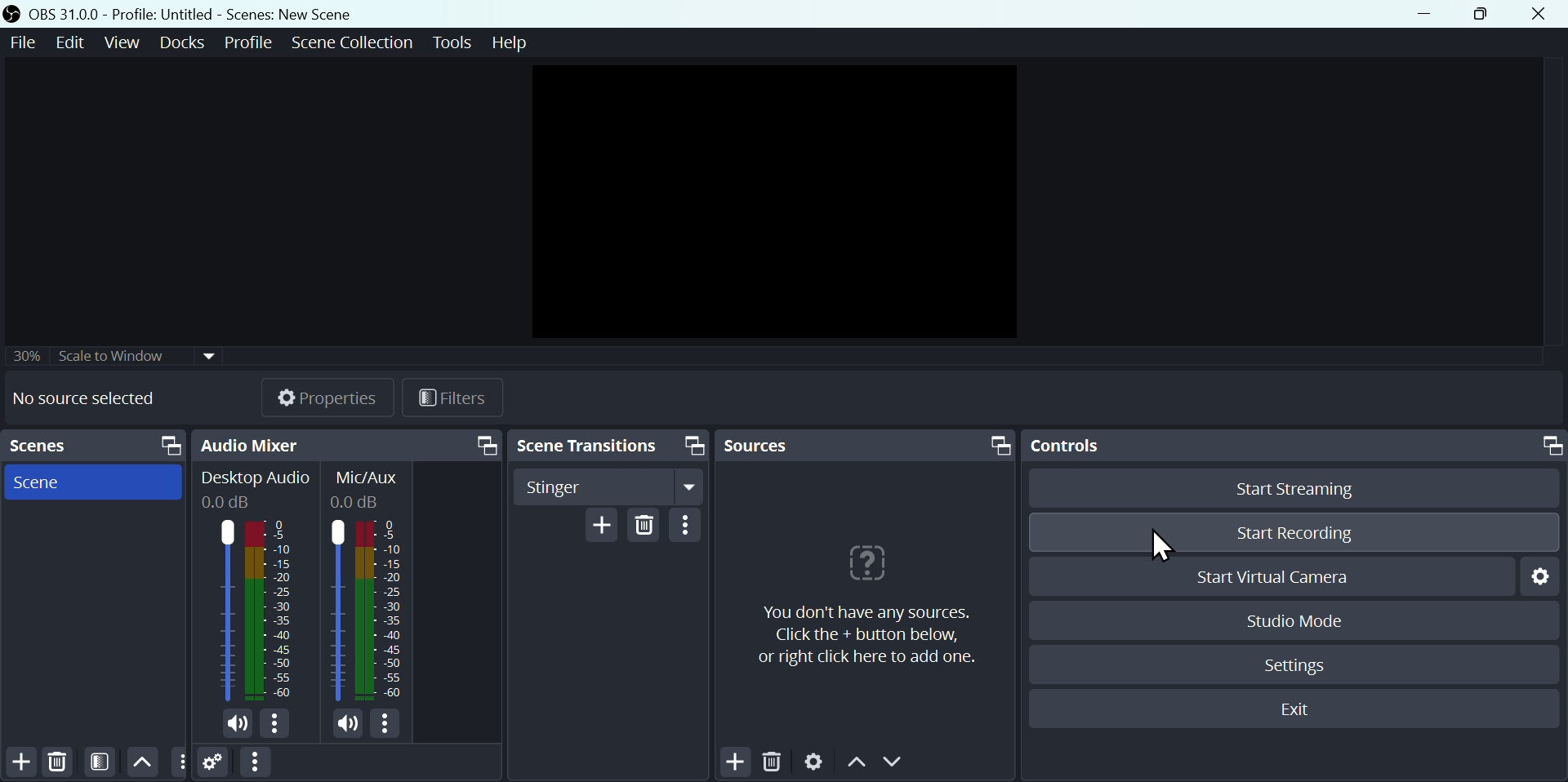  I want to click on Settings, so click(215, 765).